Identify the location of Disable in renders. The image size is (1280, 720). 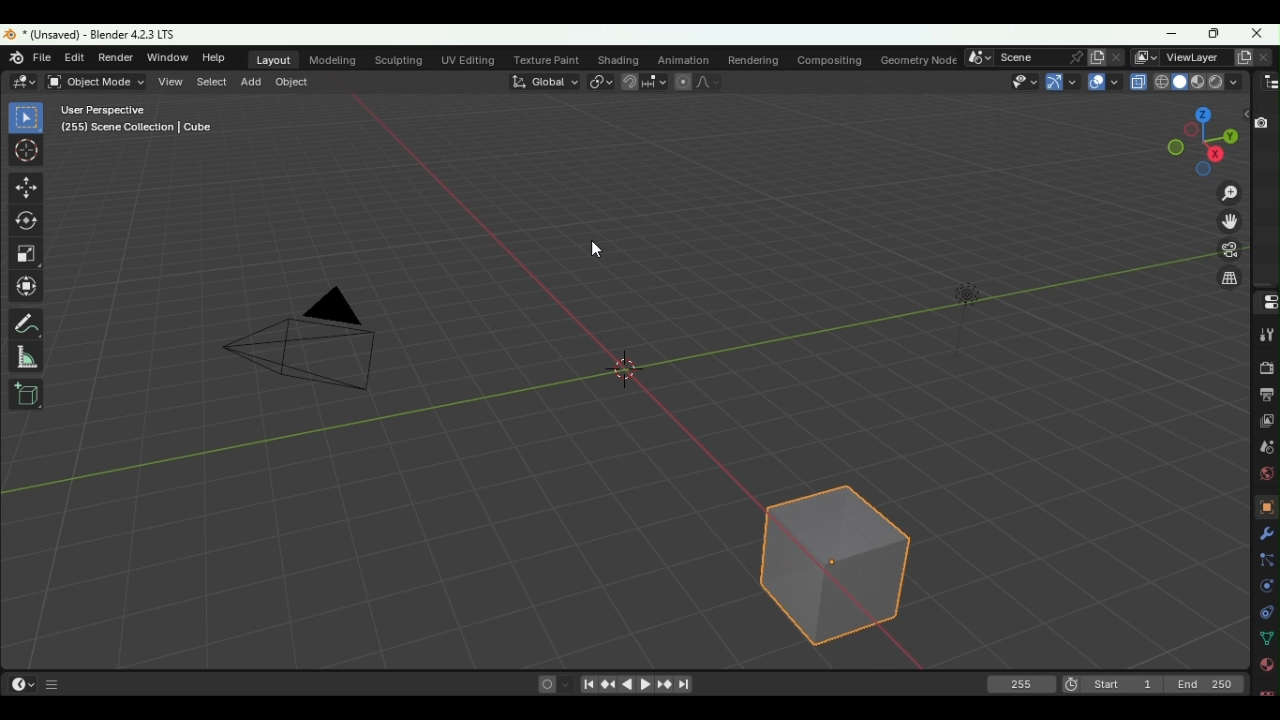
(1259, 122).